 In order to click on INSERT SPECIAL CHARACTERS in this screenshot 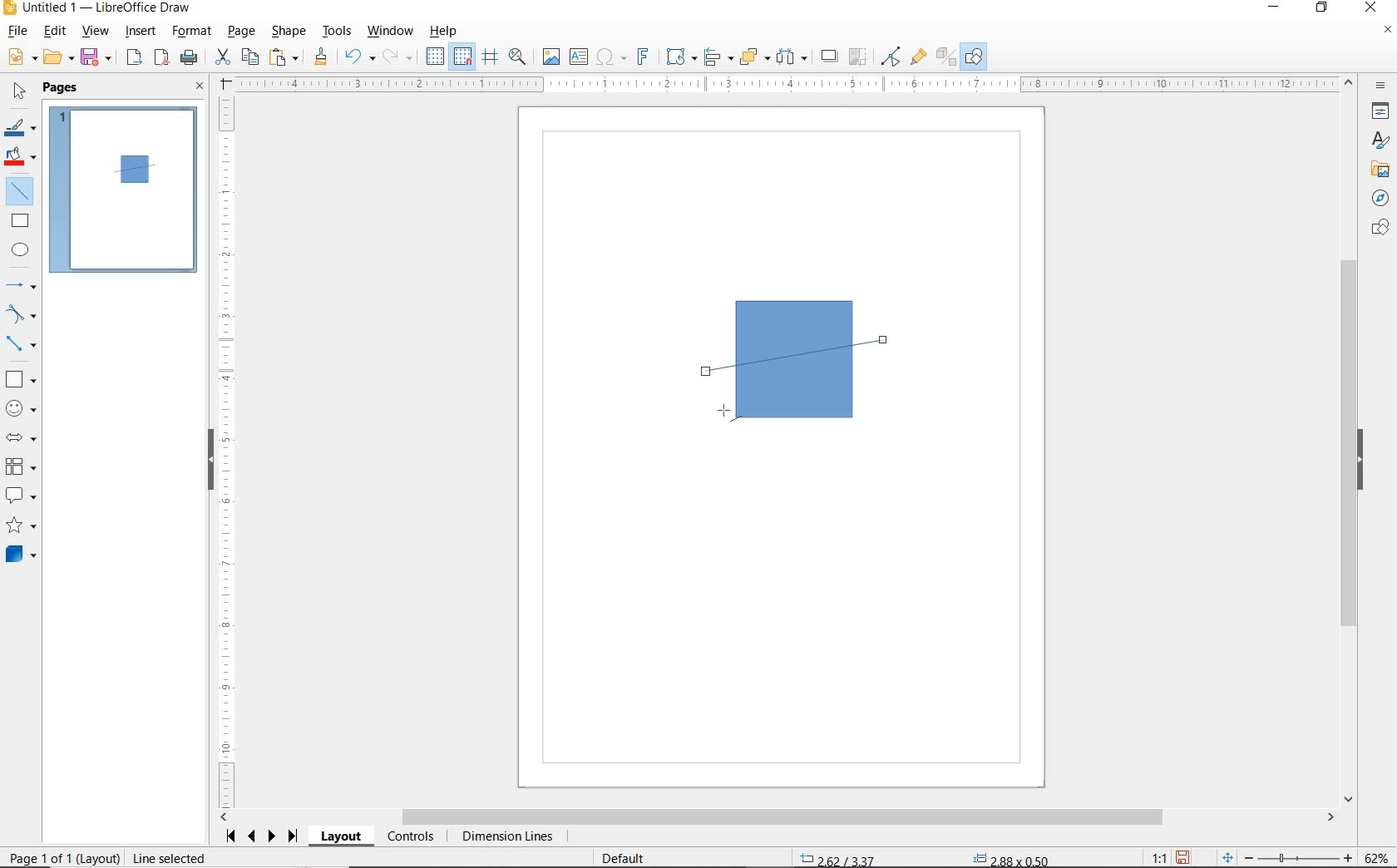, I will do `click(610, 57)`.